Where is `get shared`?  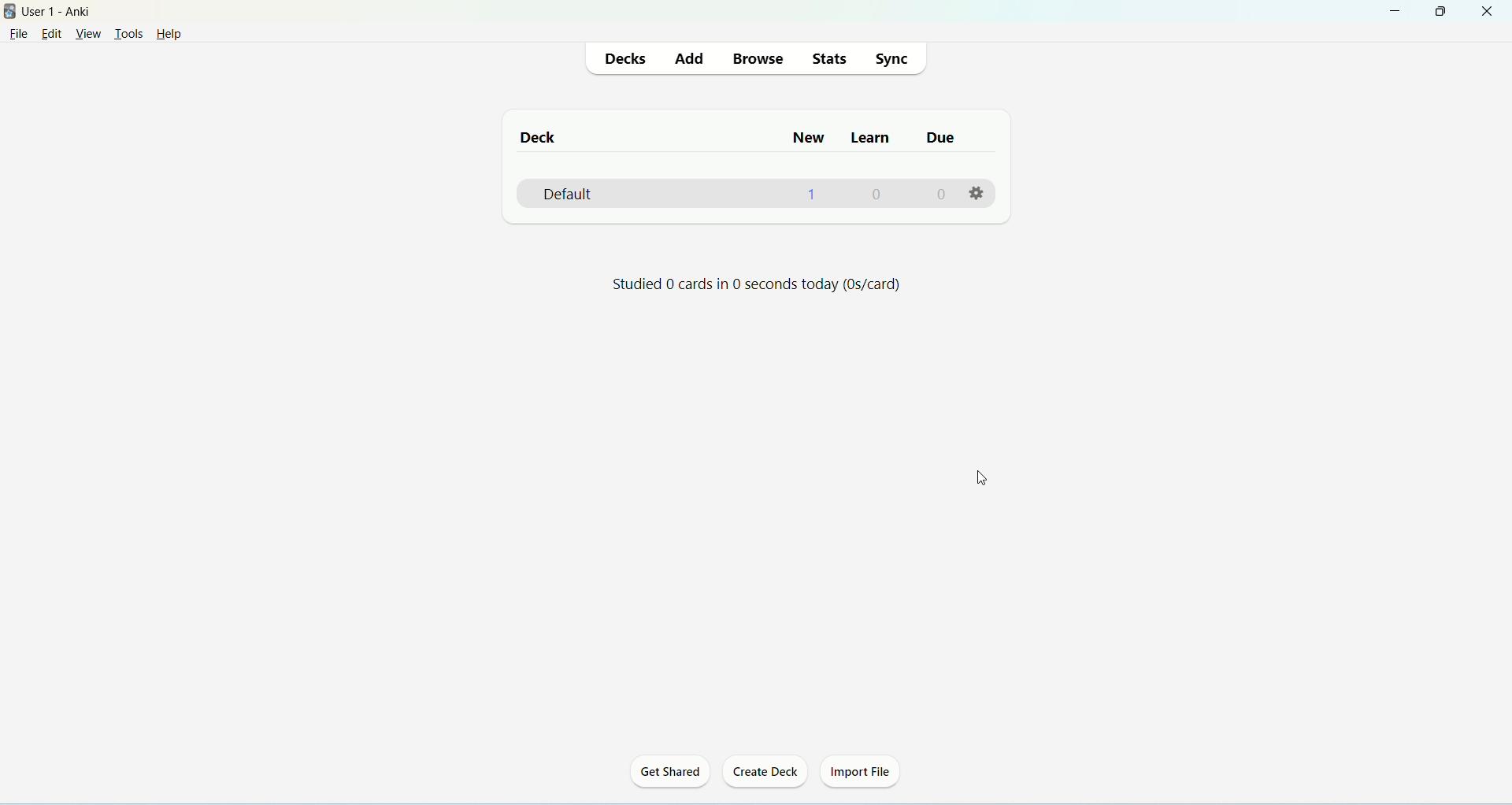
get shared is located at coordinates (669, 771).